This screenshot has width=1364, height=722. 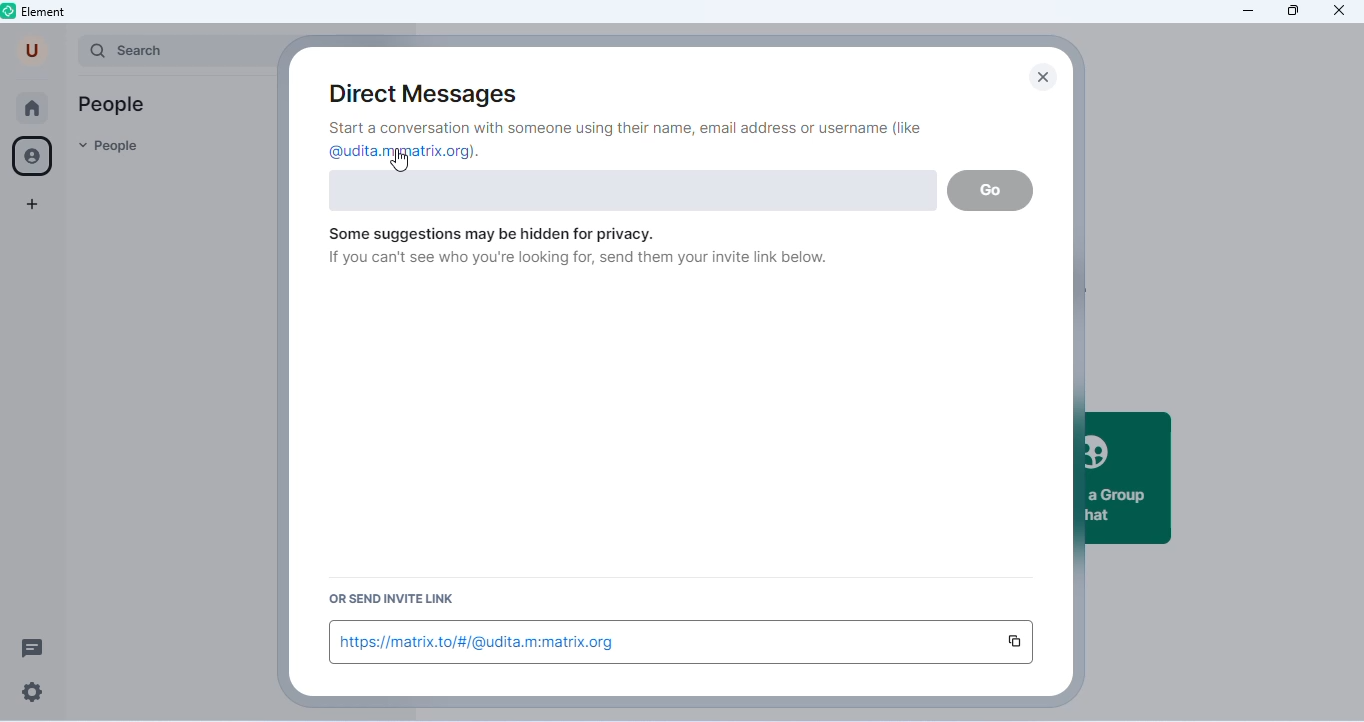 What do you see at coordinates (482, 643) in the screenshot?
I see `https://matrix.to/#/@udita.m:matrix.org` at bounding box center [482, 643].